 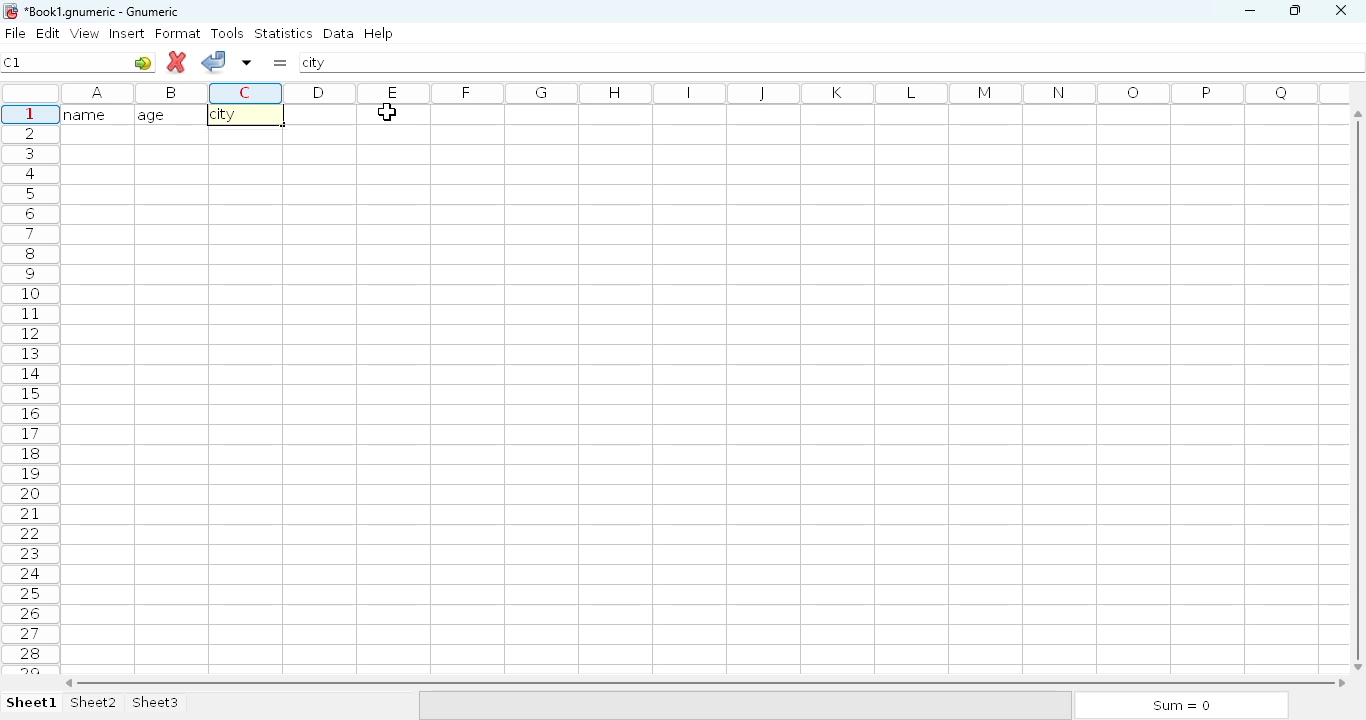 What do you see at coordinates (178, 33) in the screenshot?
I see `format` at bounding box center [178, 33].